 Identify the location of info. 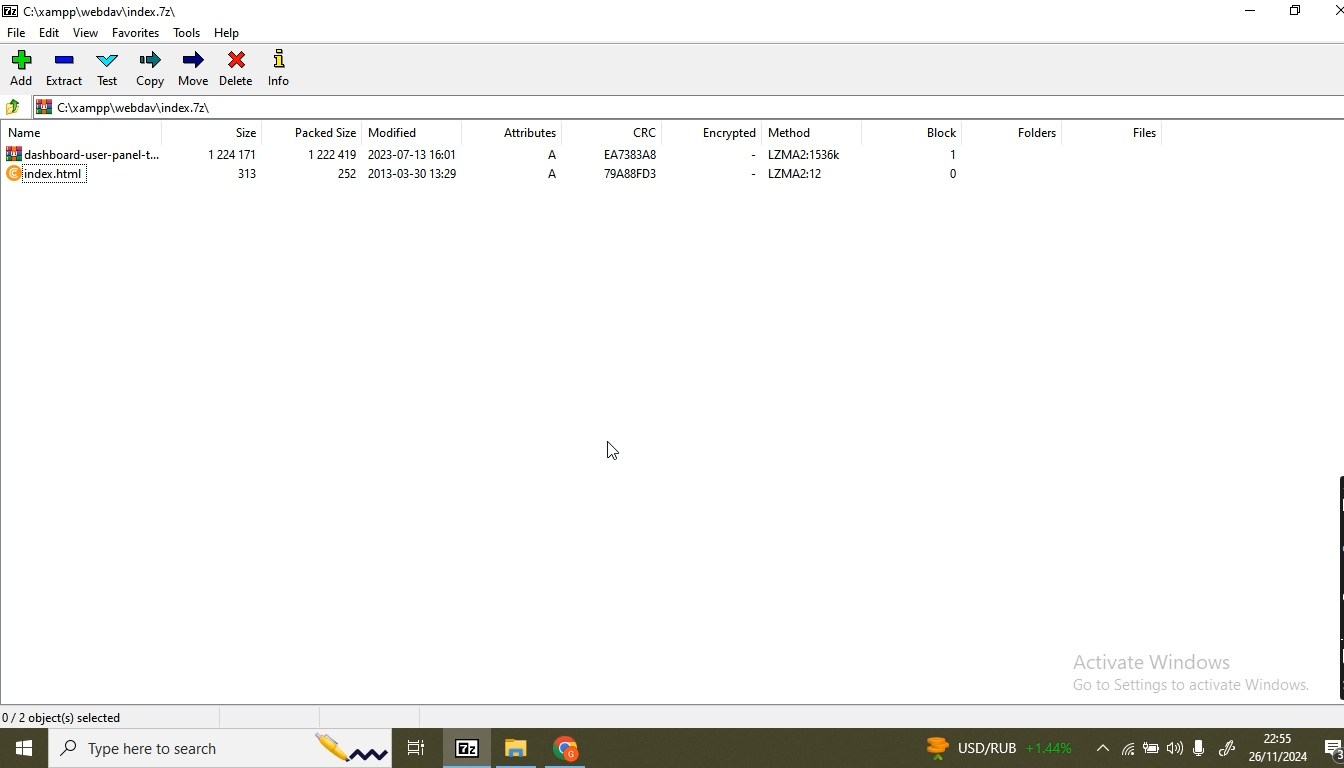
(284, 68).